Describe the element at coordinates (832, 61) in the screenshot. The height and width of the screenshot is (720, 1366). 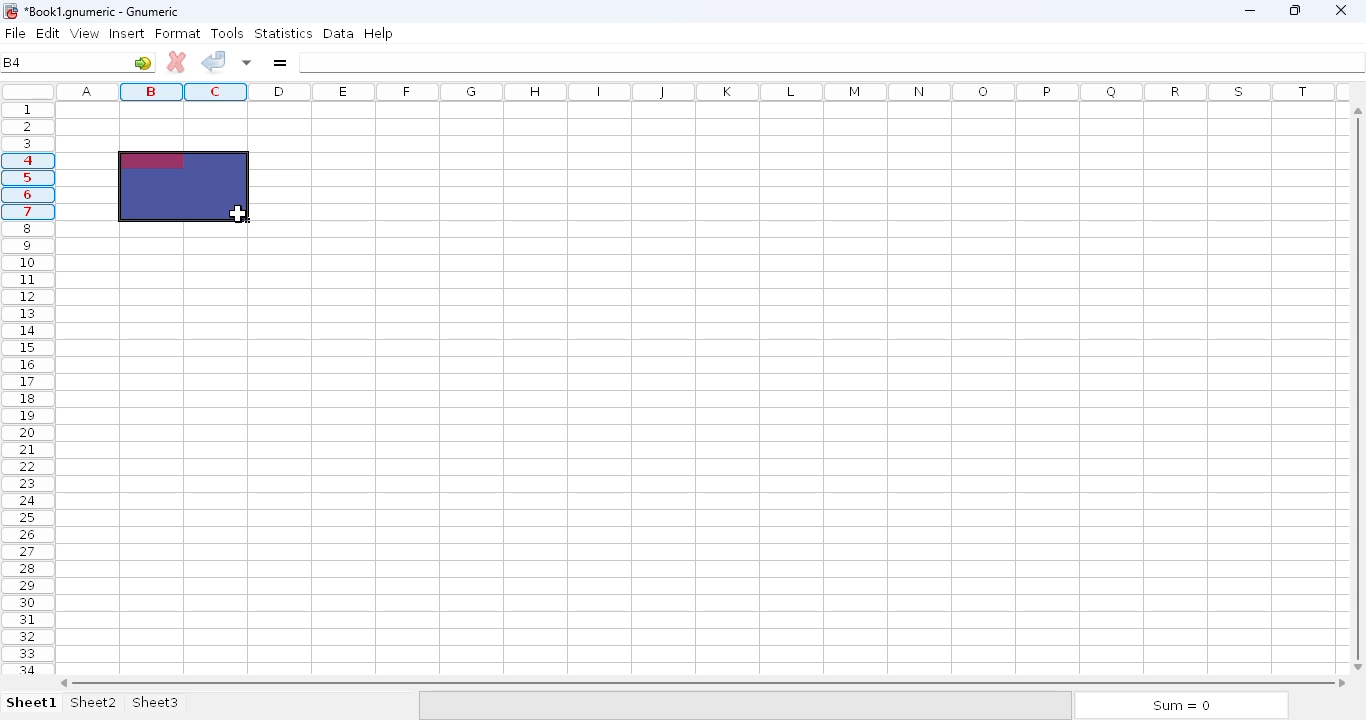
I see `formula bar` at that location.